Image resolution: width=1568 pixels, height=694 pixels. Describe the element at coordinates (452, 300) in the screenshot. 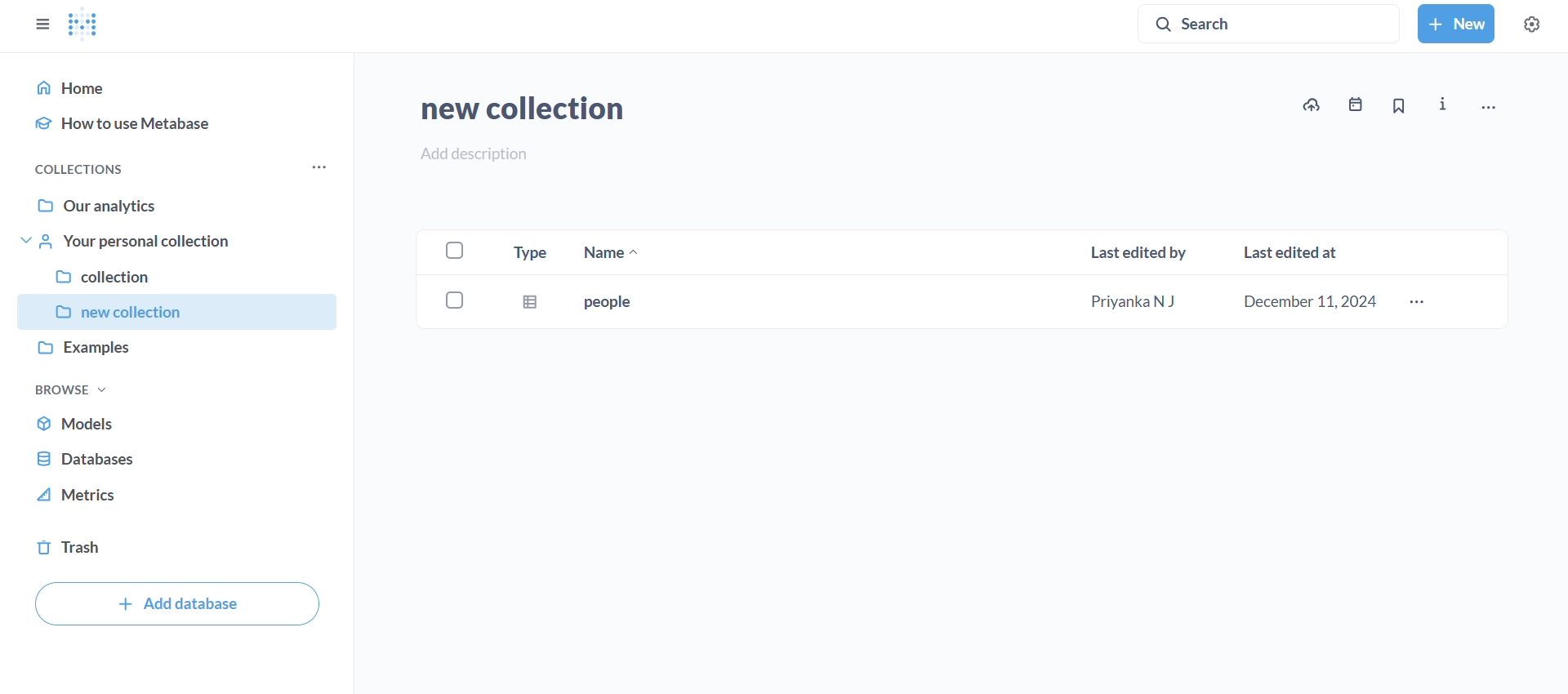

I see `checkbox` at that location.